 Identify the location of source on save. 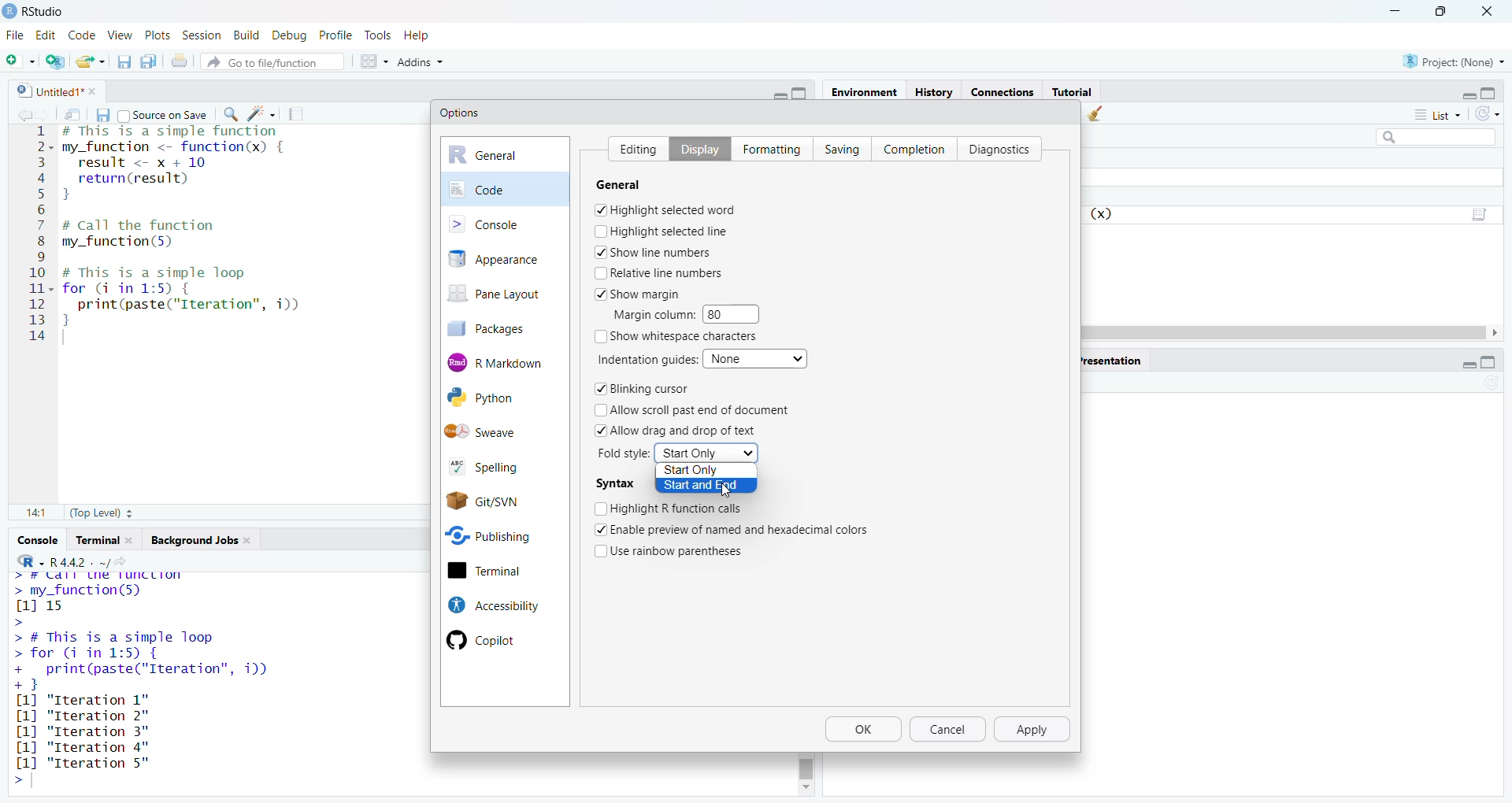
(163, 113).